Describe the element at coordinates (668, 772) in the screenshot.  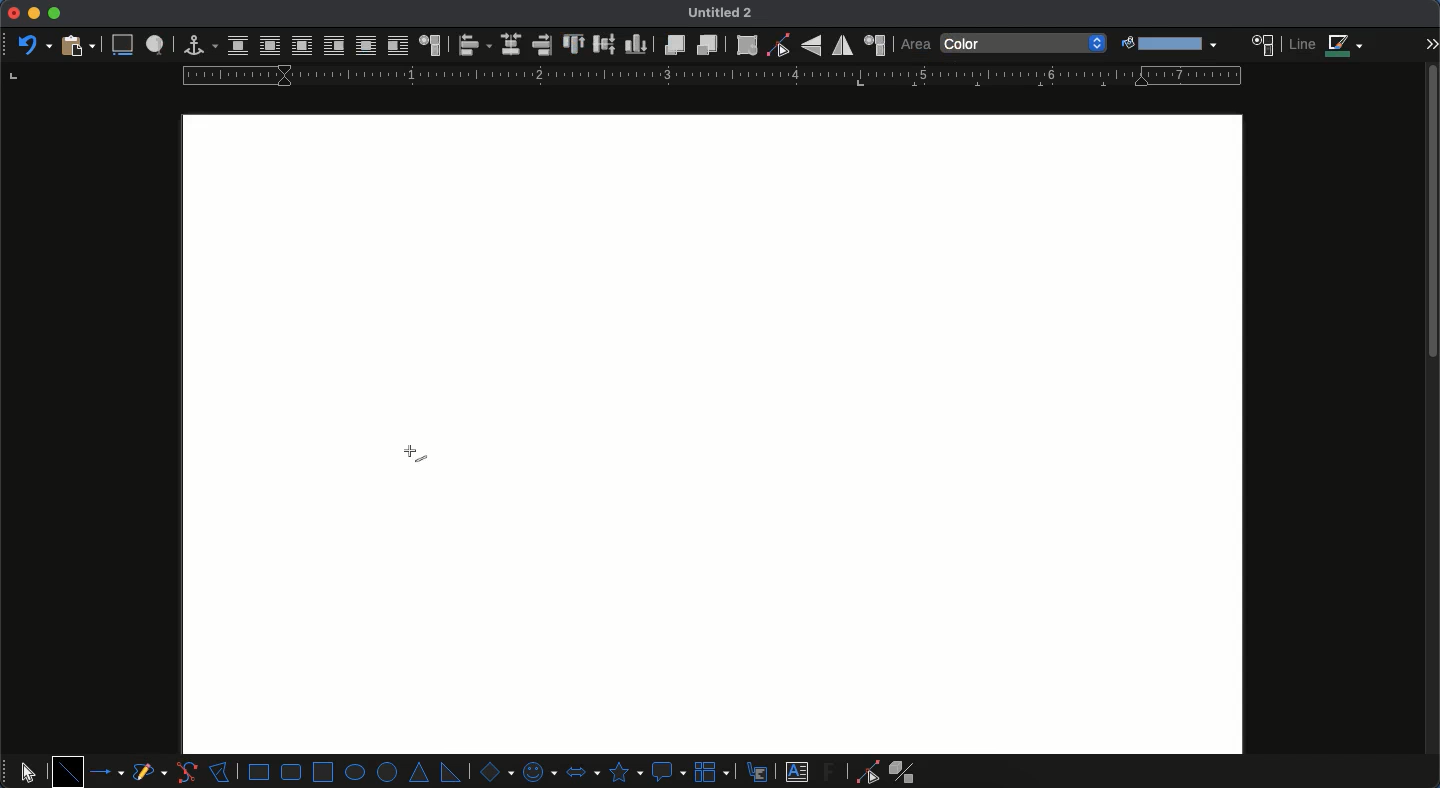
I see `callout` at that location.